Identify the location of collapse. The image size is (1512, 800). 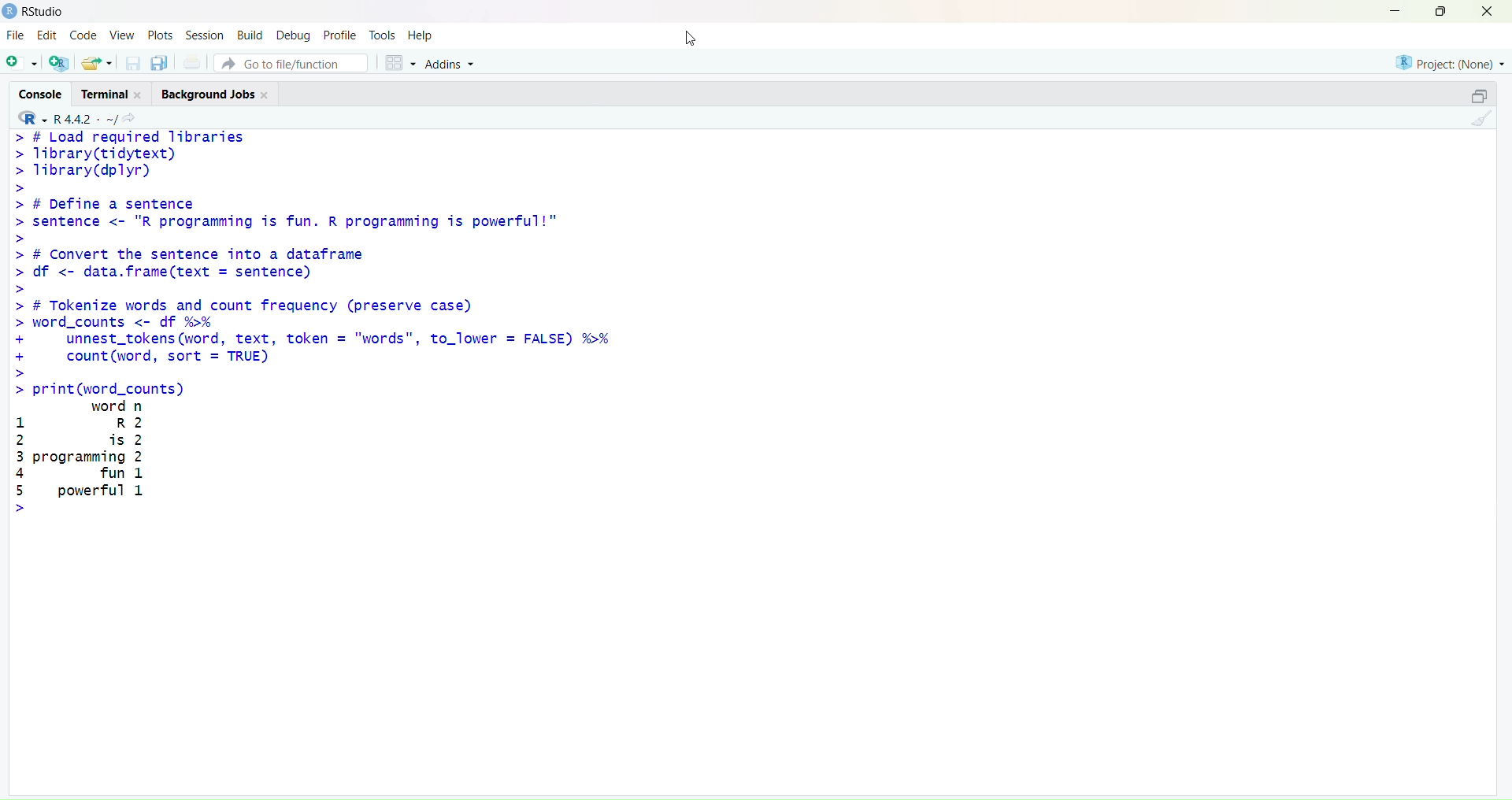
(1481, 95).